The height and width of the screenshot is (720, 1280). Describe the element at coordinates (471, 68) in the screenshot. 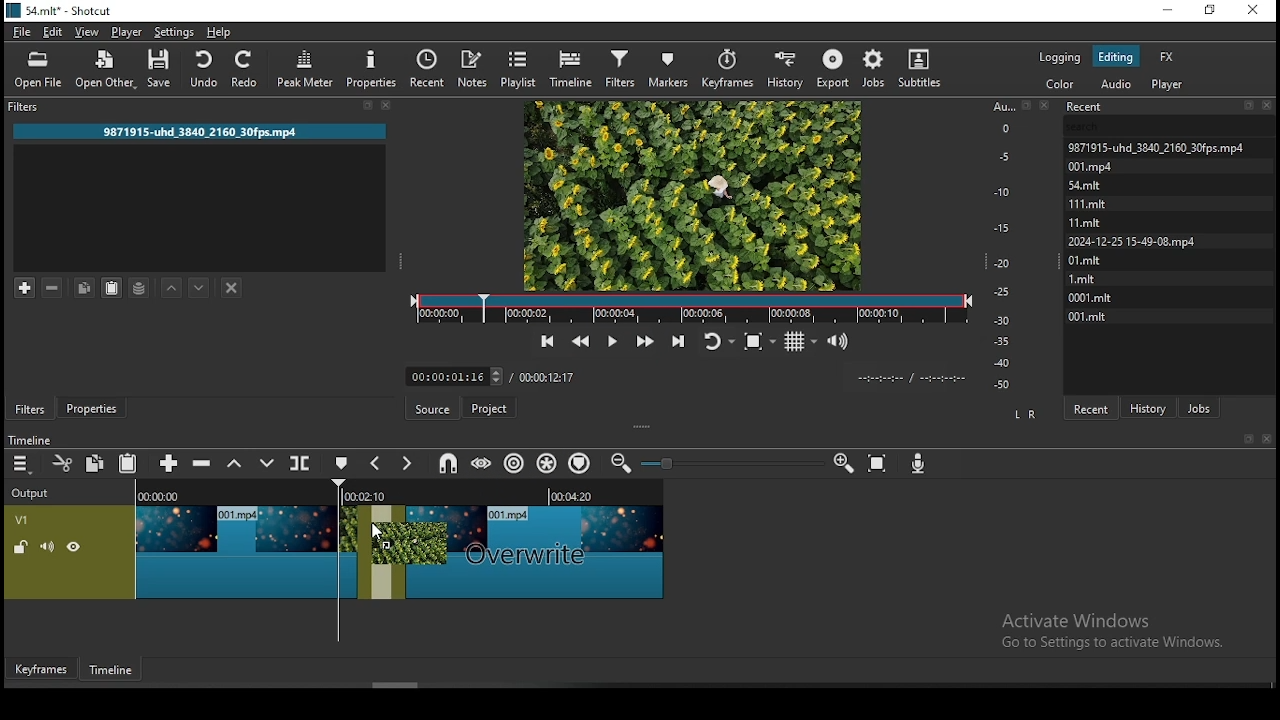

I see `notes` at that location.